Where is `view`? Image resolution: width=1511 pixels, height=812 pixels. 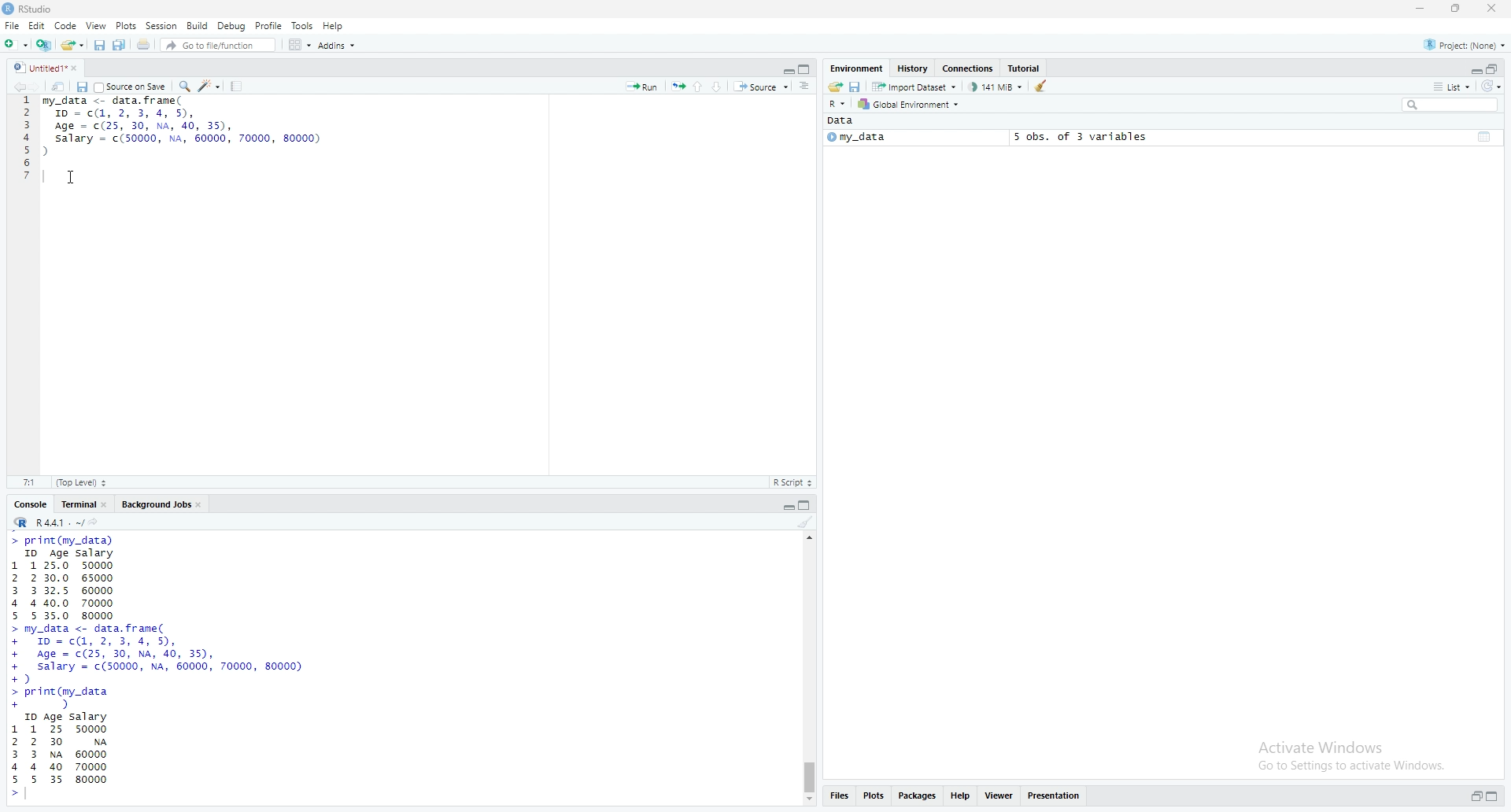
view is located at coordinates (96, 25).